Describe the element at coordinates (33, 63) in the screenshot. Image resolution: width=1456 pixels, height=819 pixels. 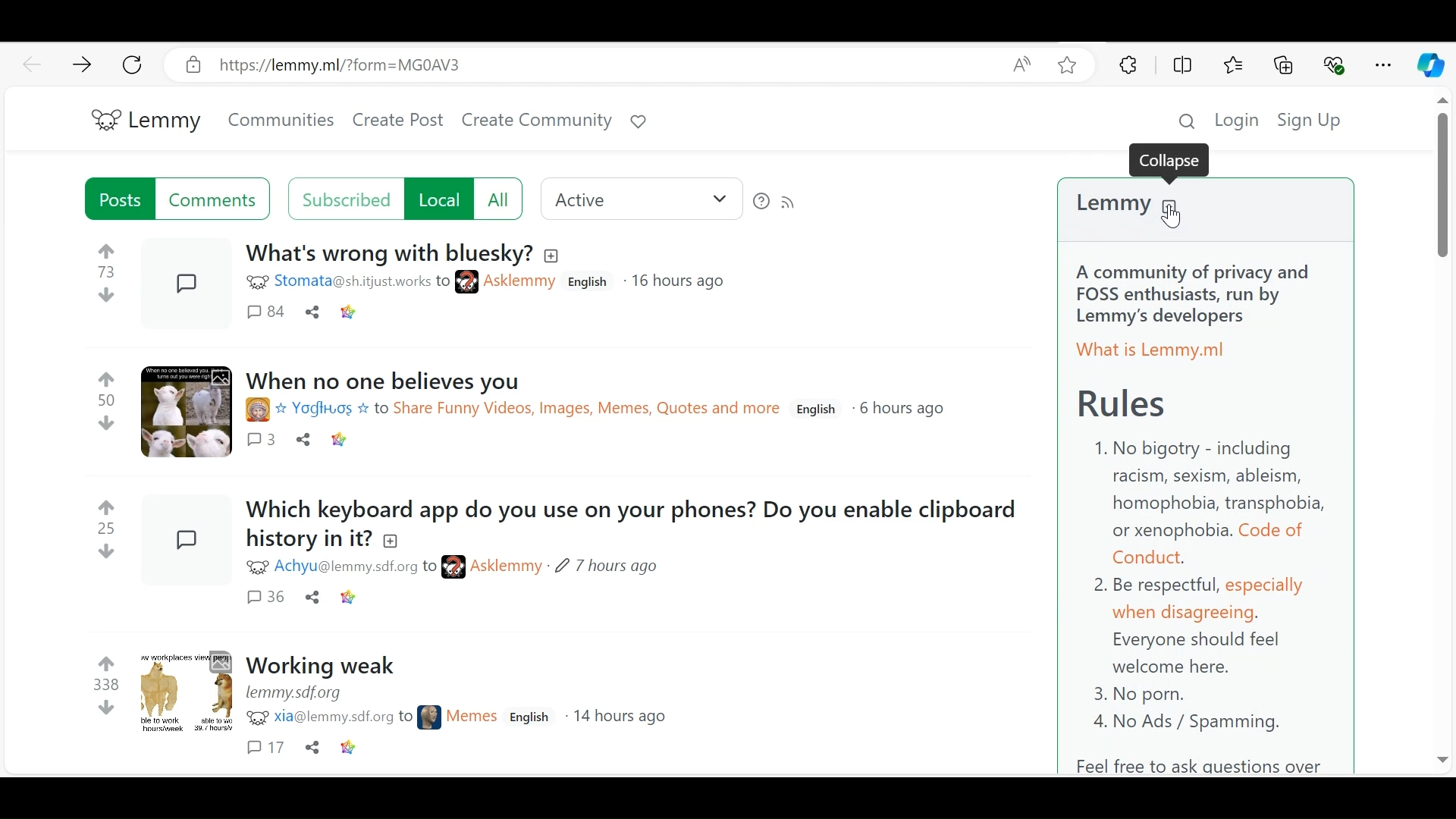
I see `Goo back` at that location.